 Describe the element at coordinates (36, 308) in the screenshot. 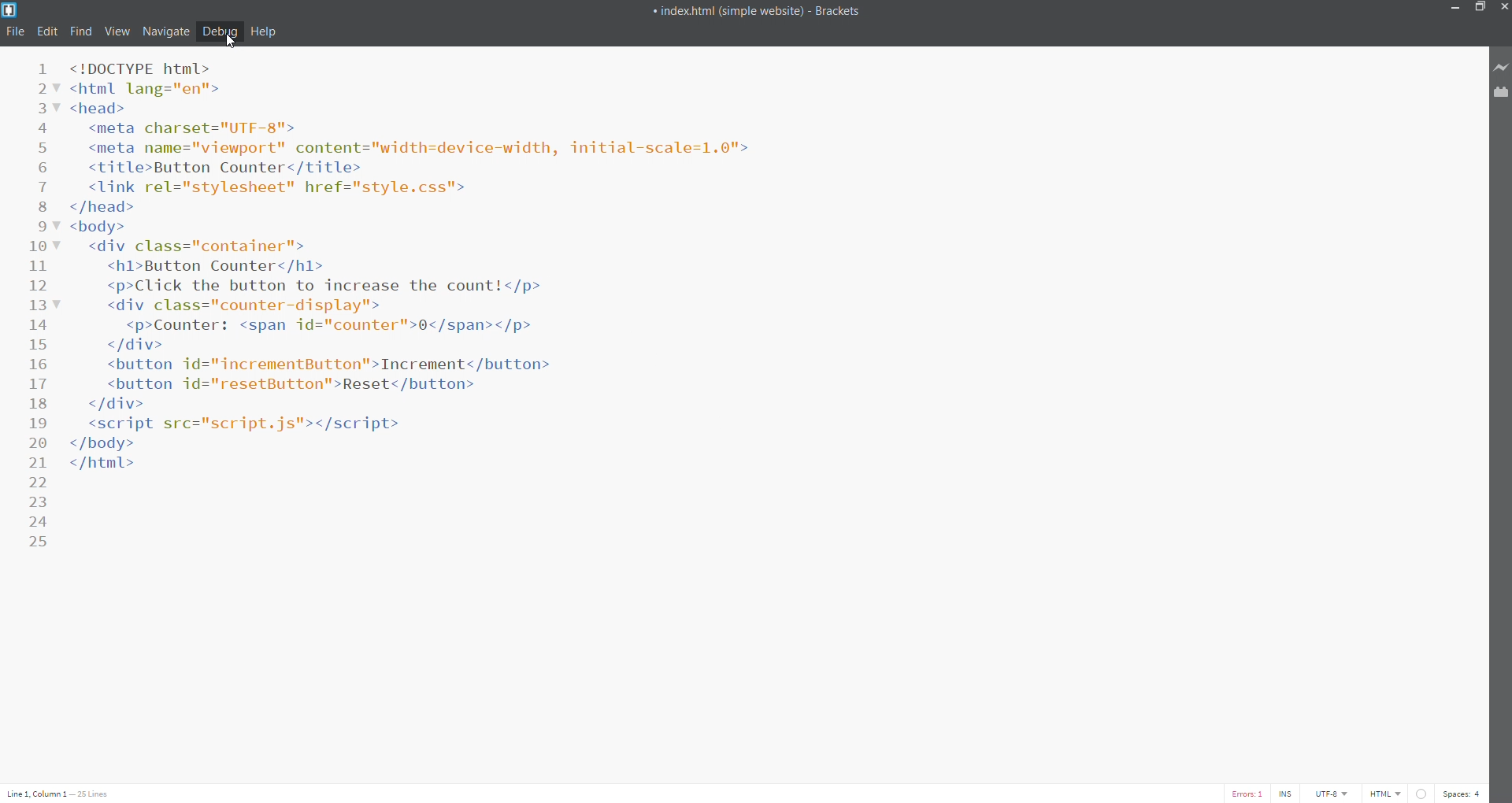

I see `line number` at that location.